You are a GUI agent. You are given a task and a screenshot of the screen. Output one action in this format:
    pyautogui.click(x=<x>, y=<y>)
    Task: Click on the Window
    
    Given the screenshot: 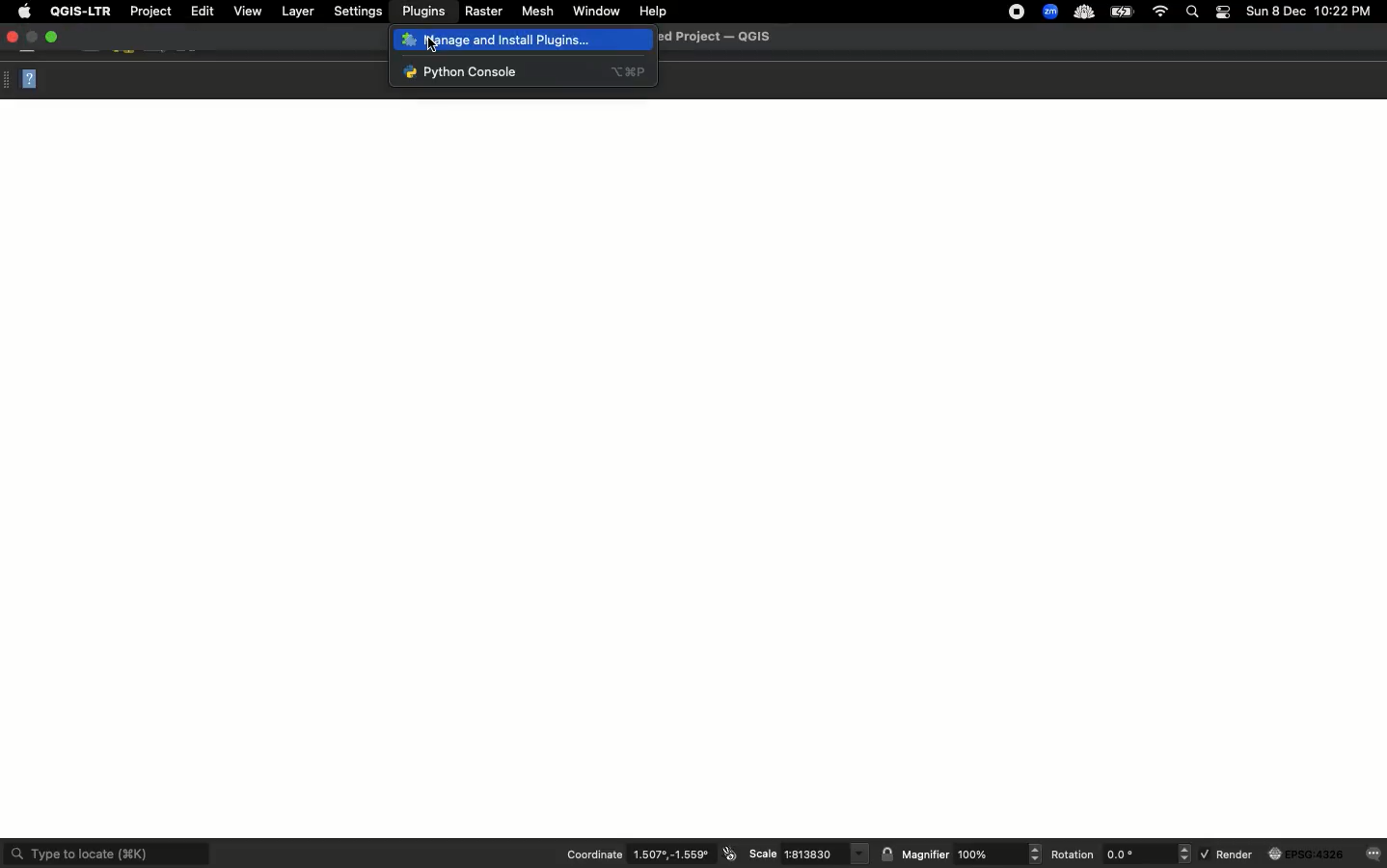 What is the action you would take?
    pyautogui.click(x=595, y=10)
    